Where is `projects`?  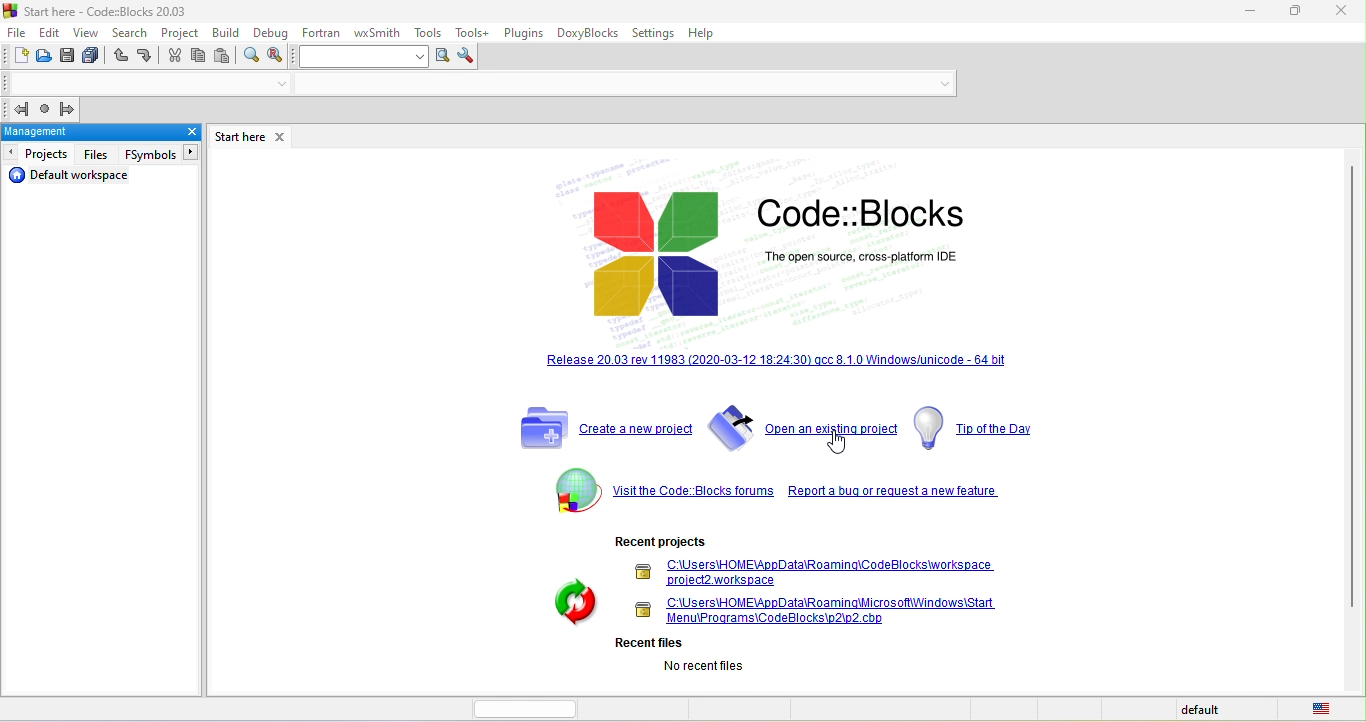 projects is located at coordinates (39, 154).